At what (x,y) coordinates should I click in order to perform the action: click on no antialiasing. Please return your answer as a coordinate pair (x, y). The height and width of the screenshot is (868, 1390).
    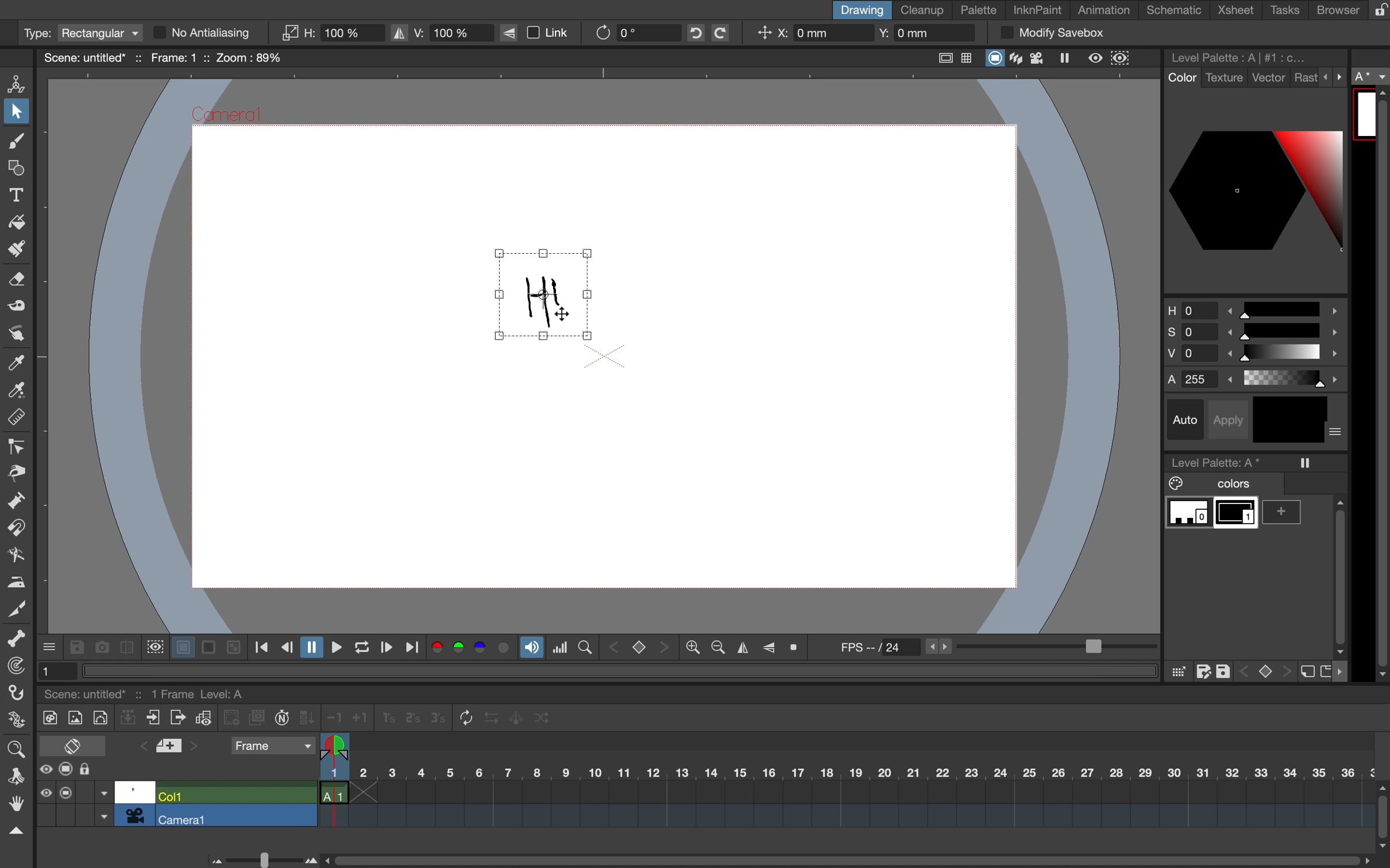
    Looking at the image, I should click on (213, 33).